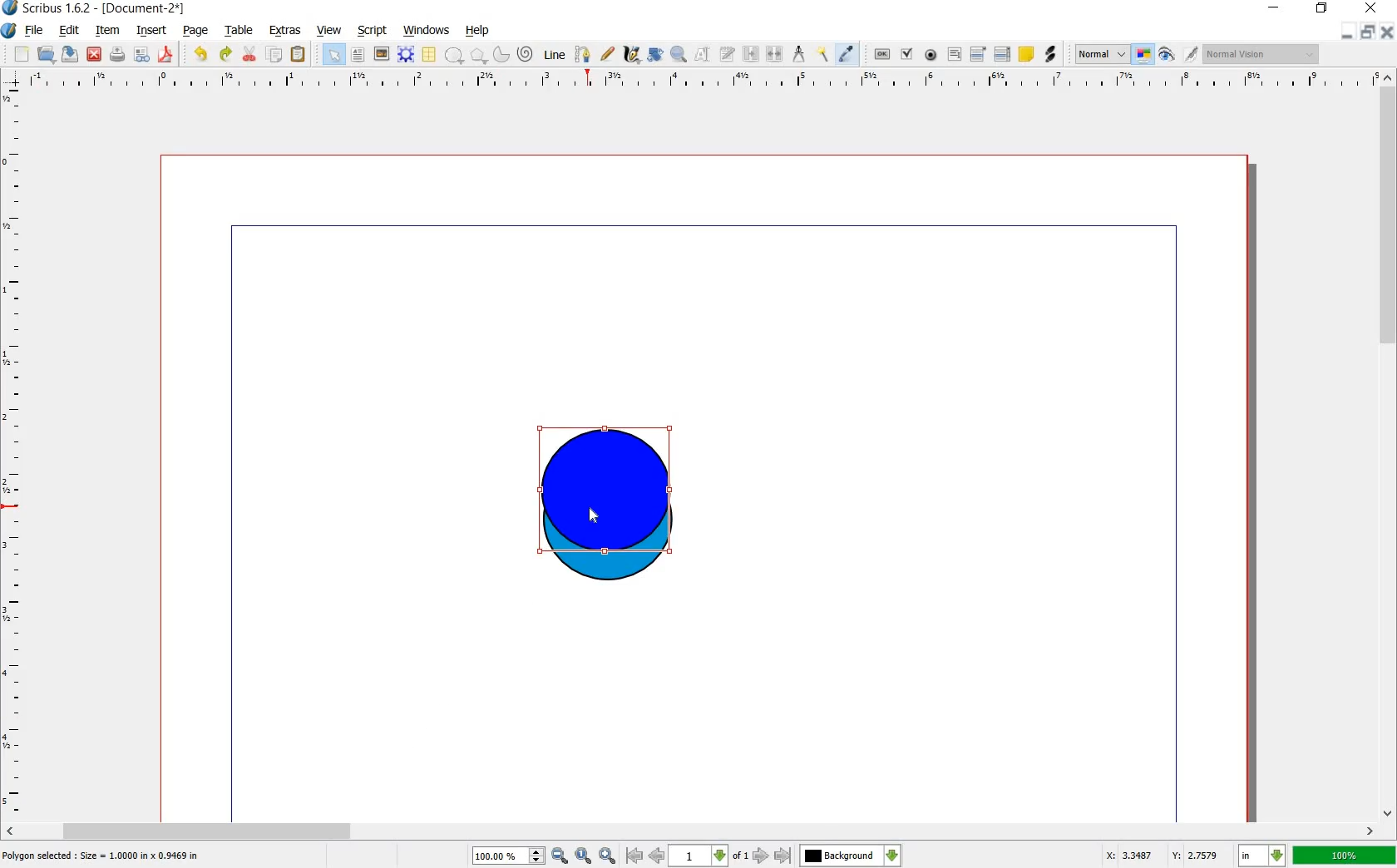  I want to click on select item, so click(333, 54).